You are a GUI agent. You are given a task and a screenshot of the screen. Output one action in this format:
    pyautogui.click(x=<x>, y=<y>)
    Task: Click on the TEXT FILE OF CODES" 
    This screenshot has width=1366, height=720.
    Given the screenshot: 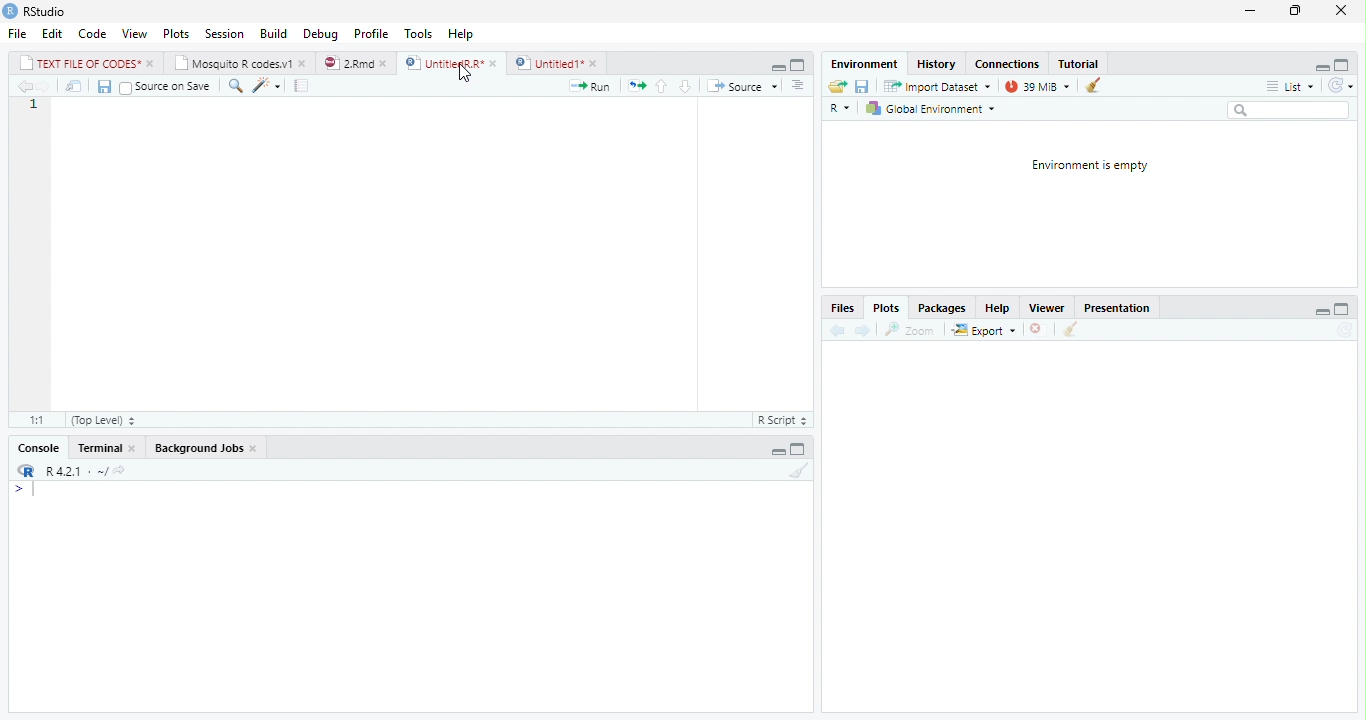 What is the action you would take?
    pyautogui.click(x=86, y=63)
    